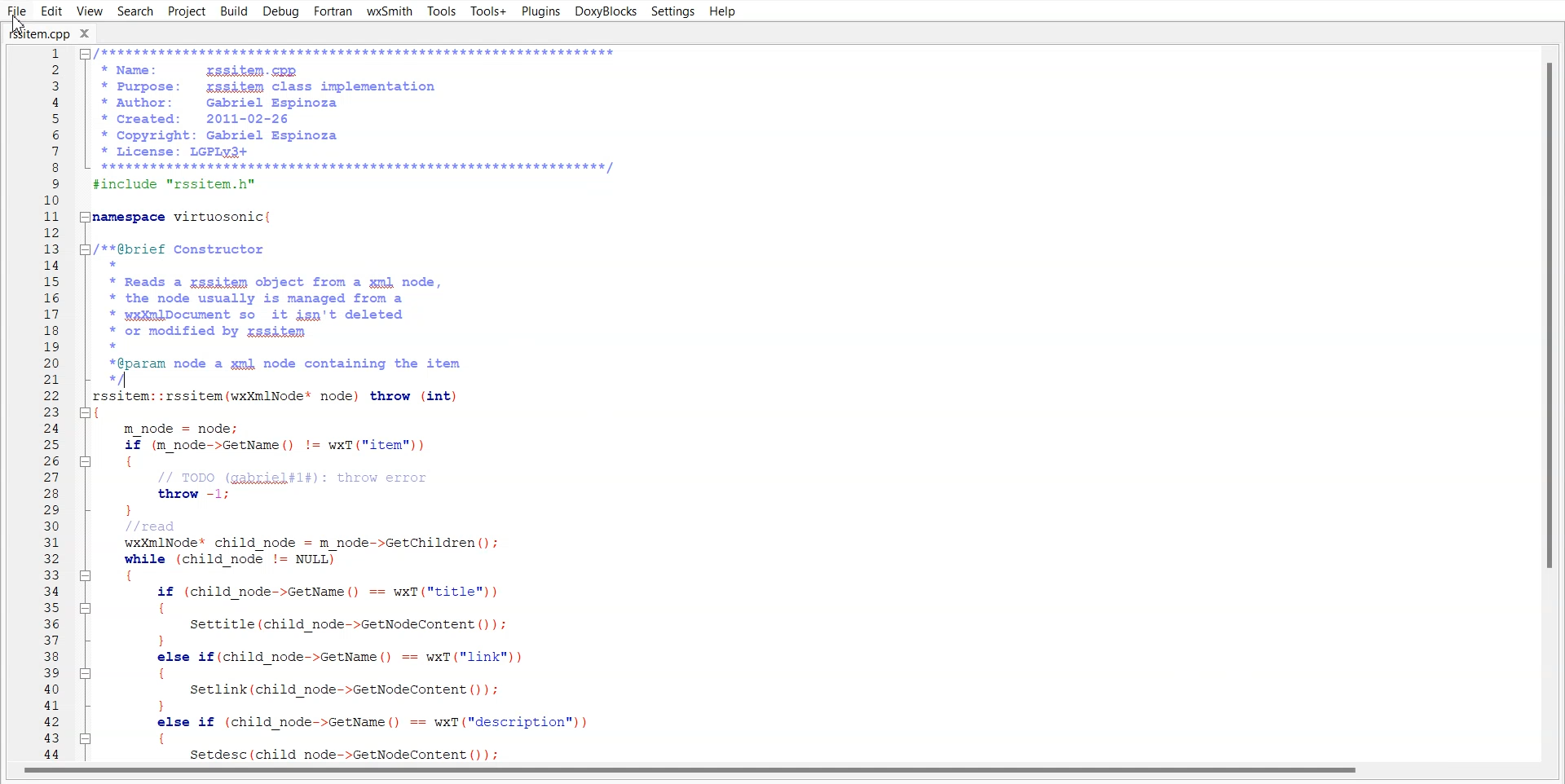  What do you see at coordinates (90, 11) in the screenshot?
I see `View` at bounding box center [90, 11].